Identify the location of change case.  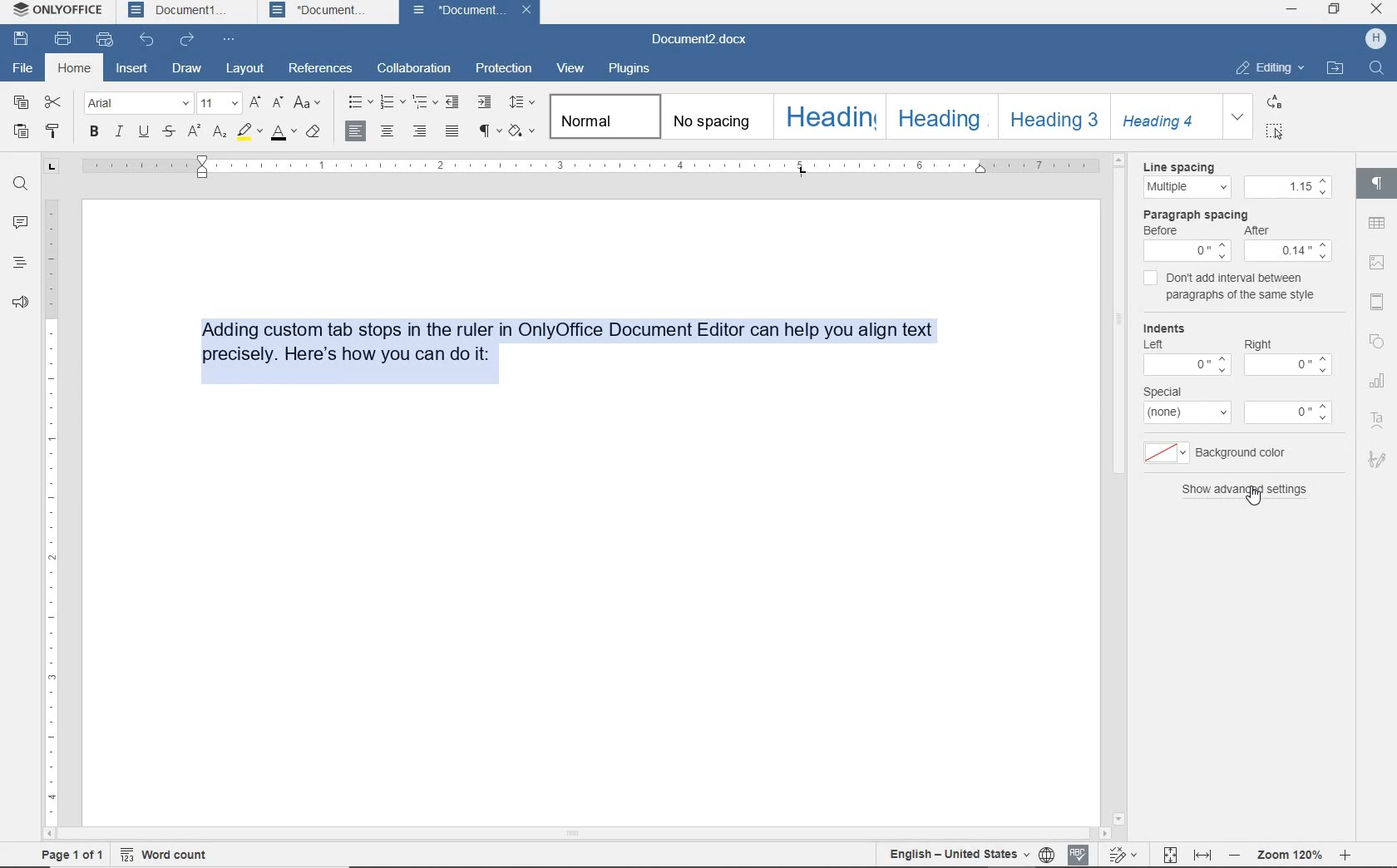
(311, 104).